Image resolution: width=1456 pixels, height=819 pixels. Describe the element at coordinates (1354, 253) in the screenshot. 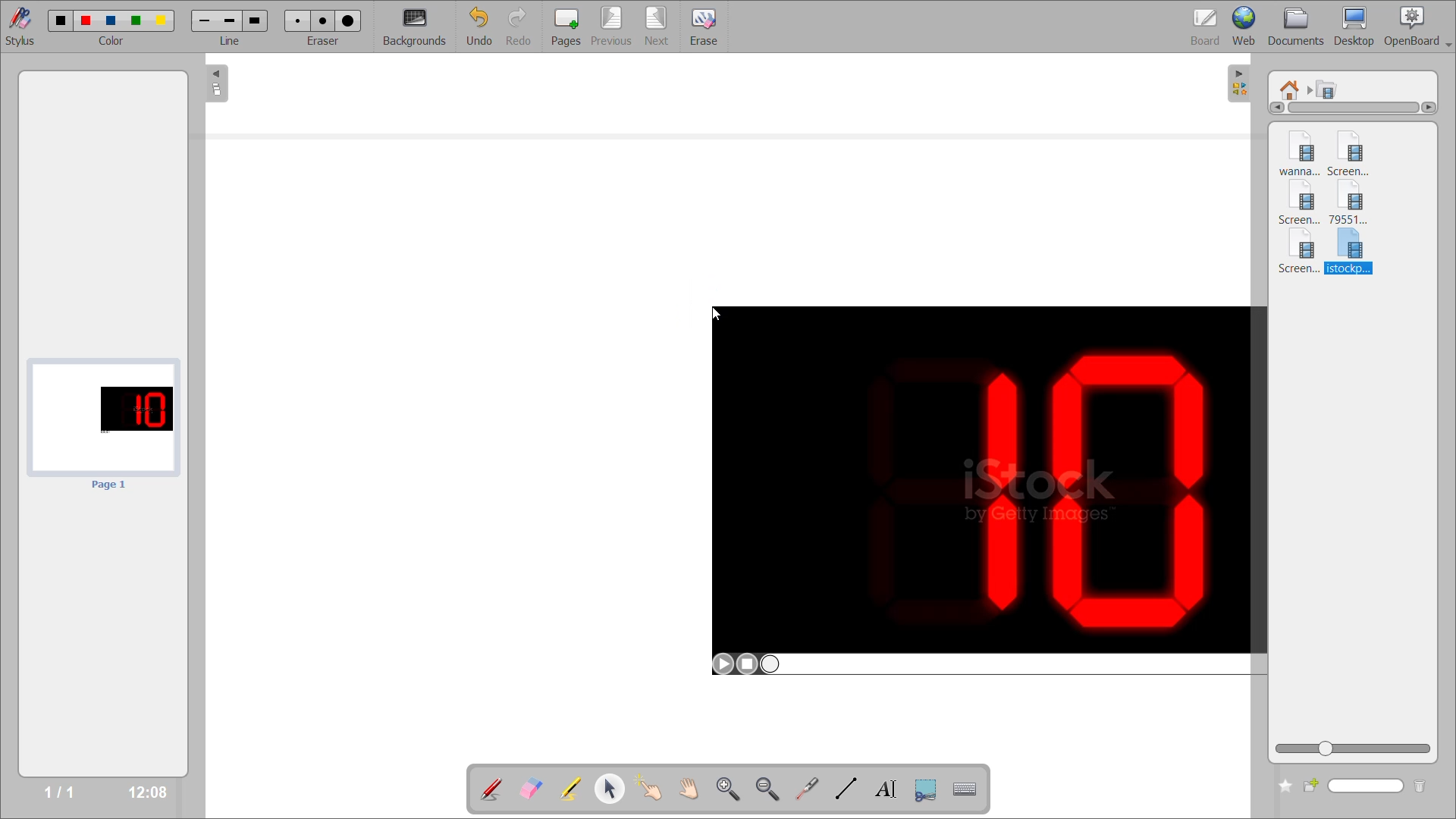

I see `video 6` at that location.